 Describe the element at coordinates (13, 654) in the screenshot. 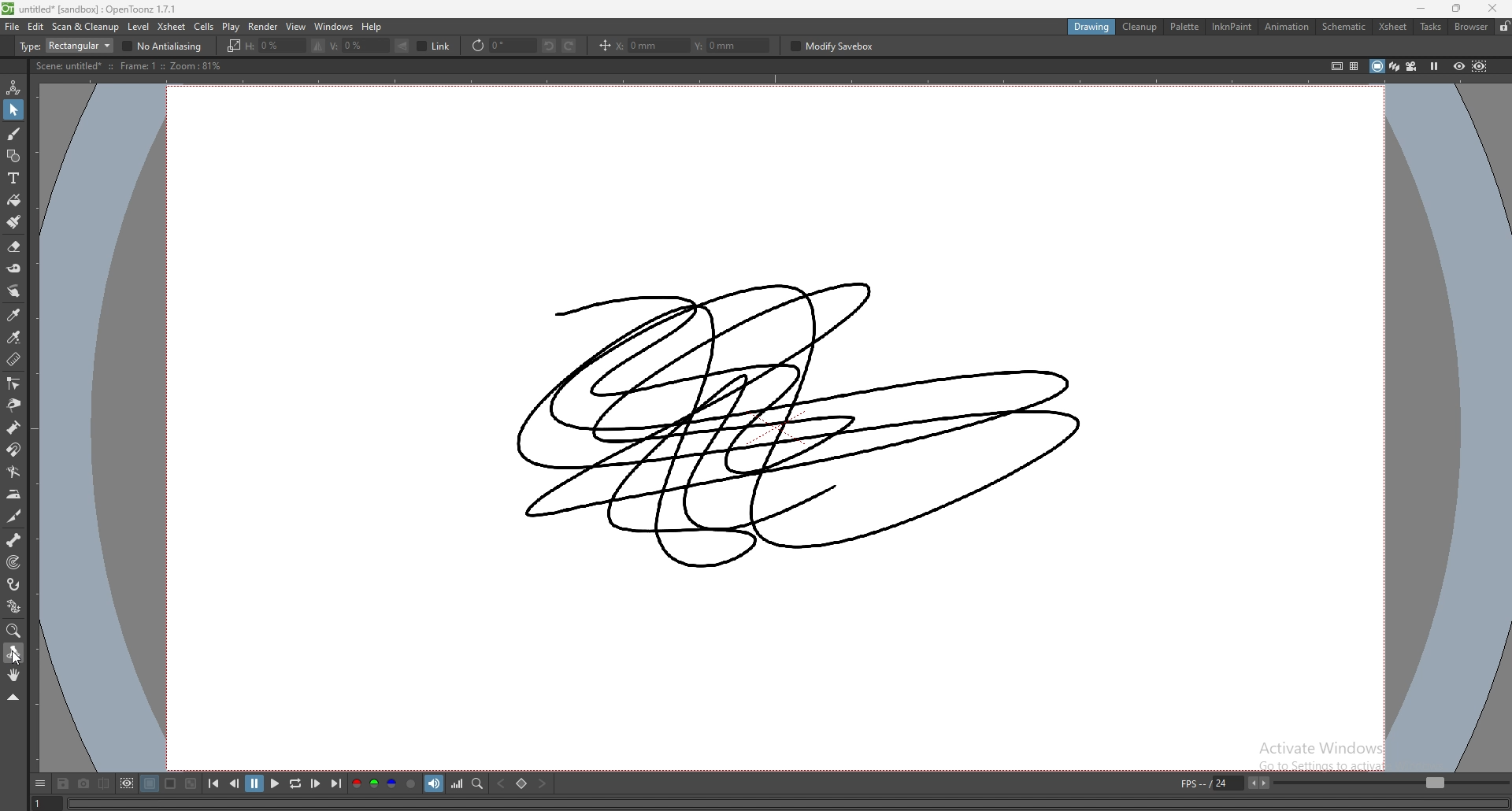

I see `rotate` at that location.